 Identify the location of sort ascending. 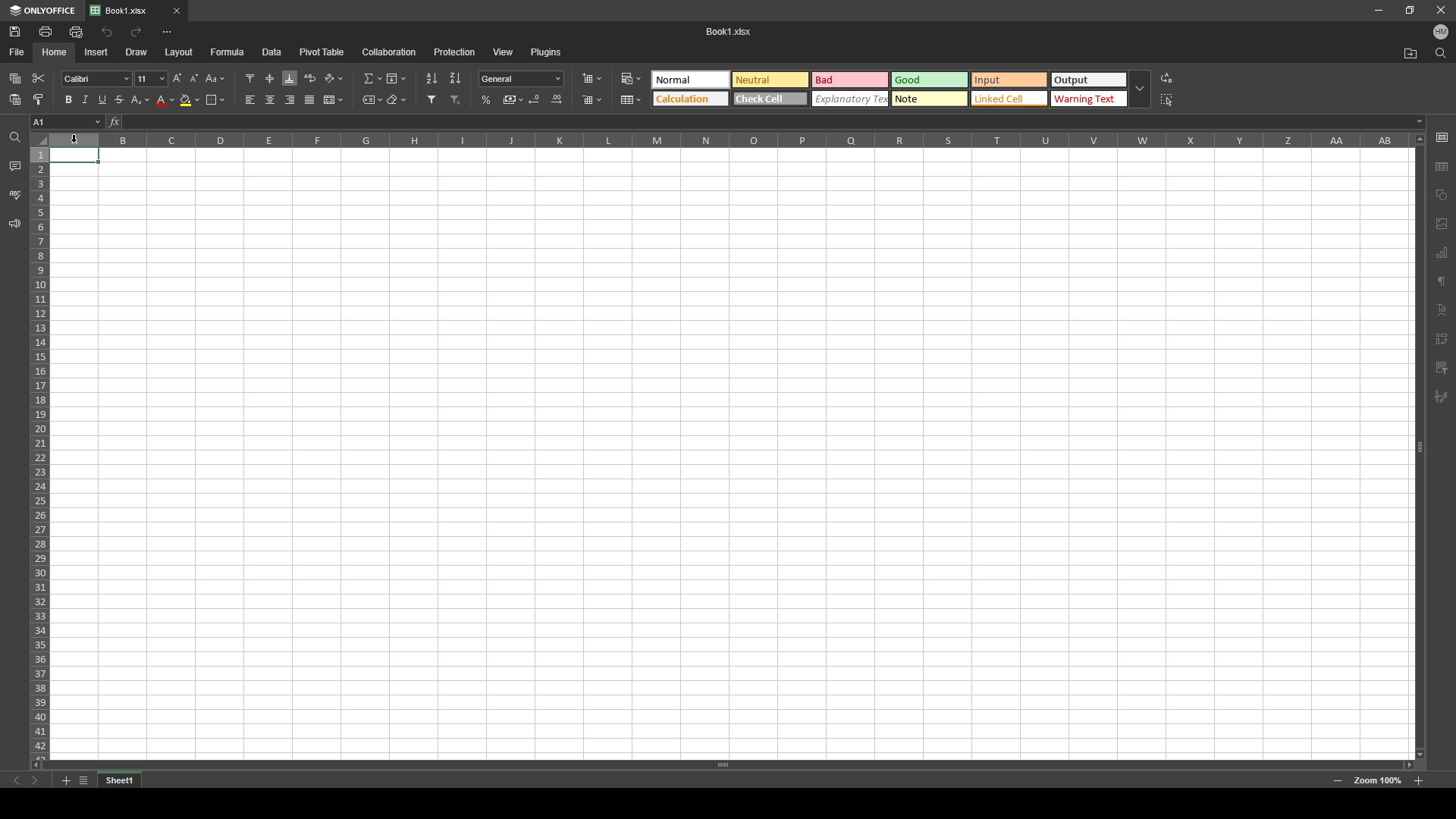
(431, 78).